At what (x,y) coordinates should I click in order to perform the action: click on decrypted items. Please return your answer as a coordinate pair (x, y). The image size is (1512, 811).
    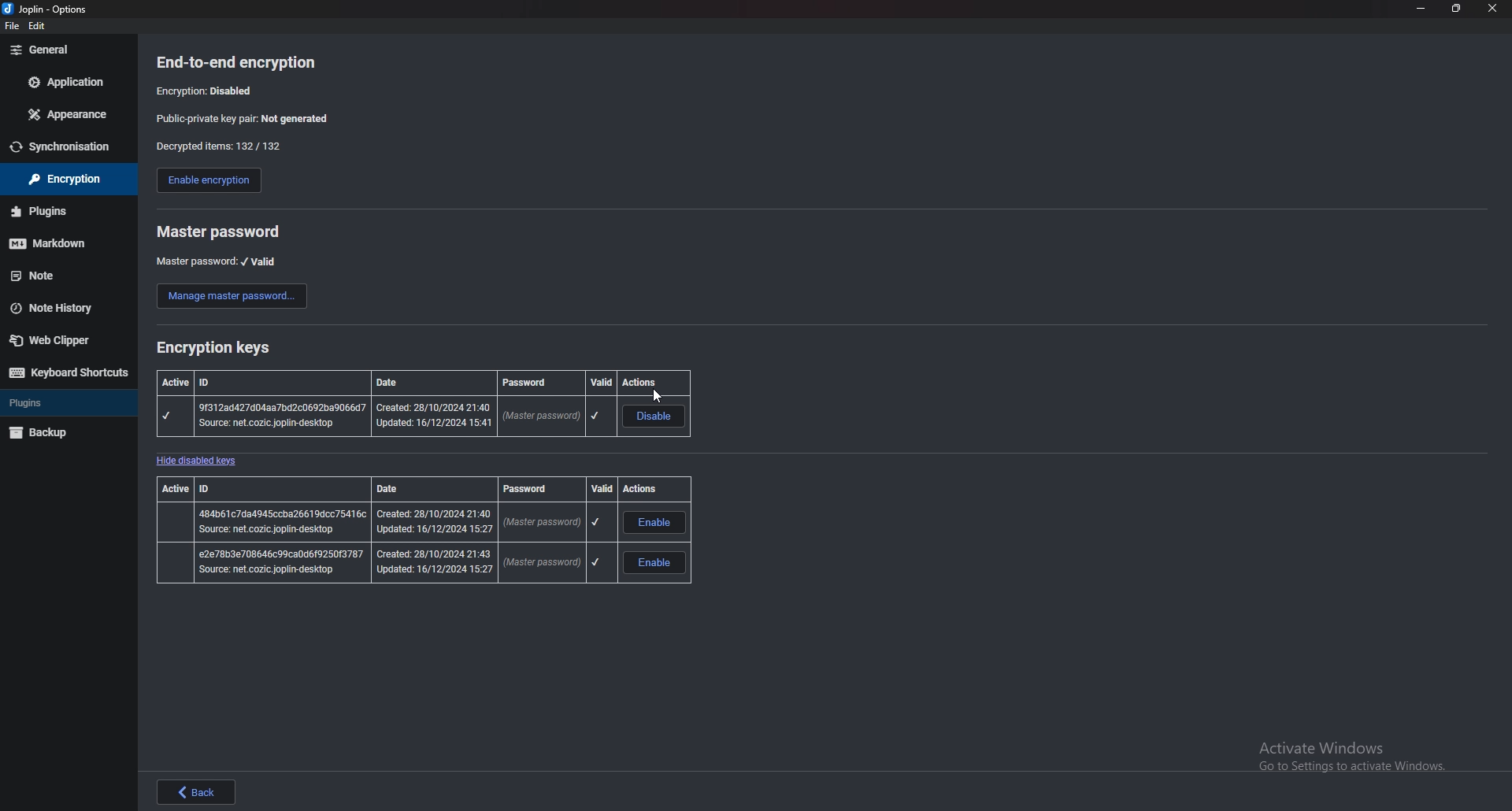
    Looking at the image, I should click on (225, 146).